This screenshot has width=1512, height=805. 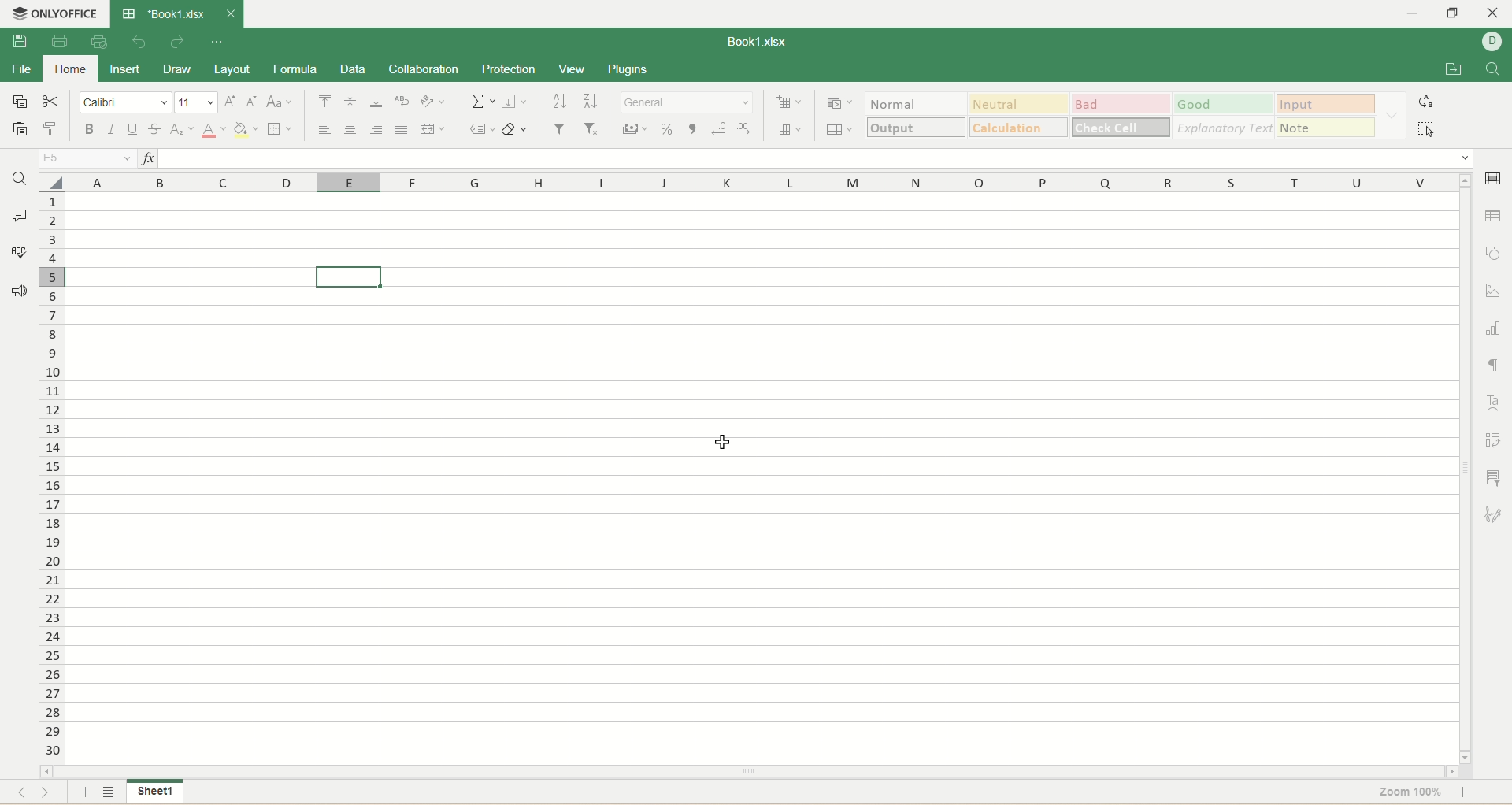 I want to click on pivot settings, so click(x=1495, y=440).